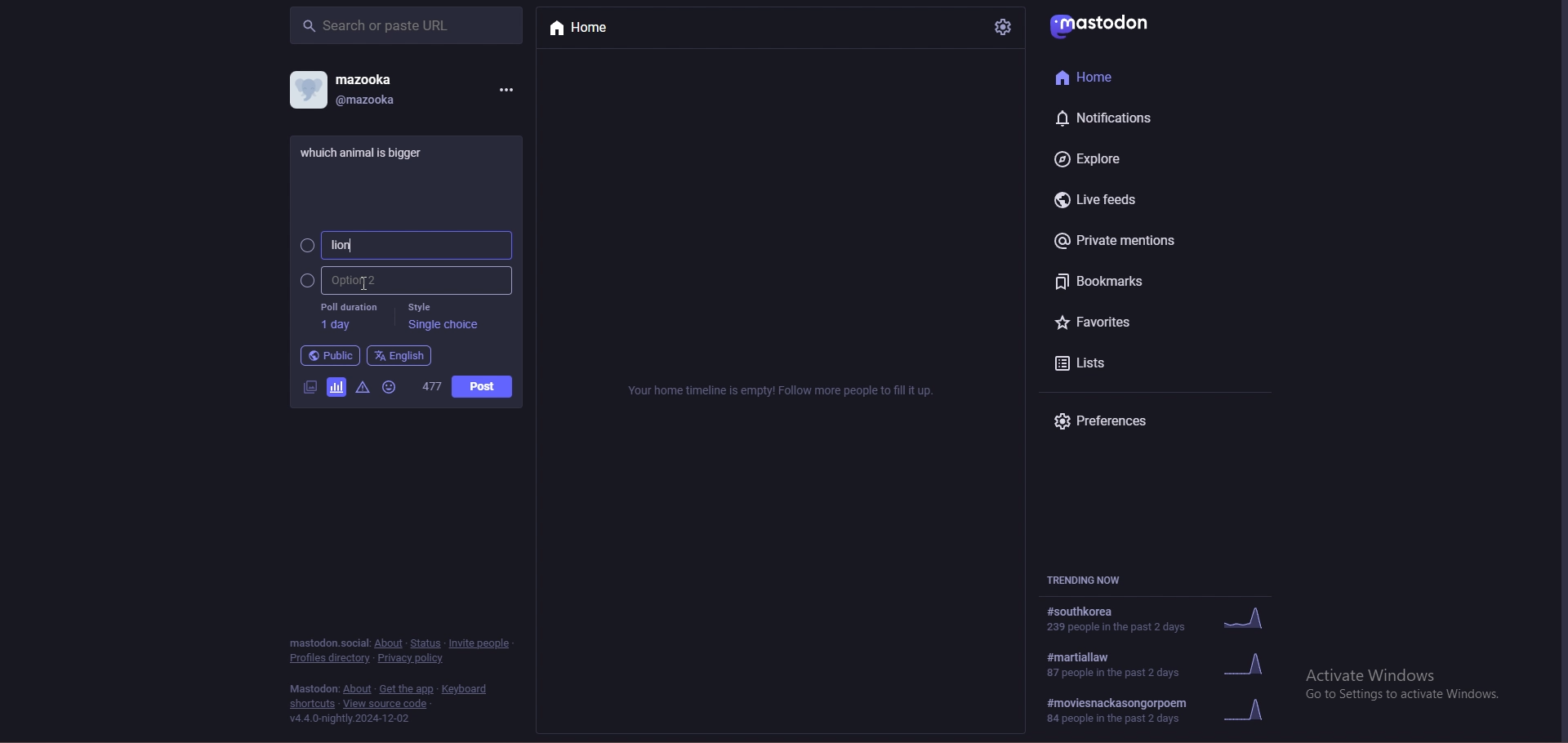  I want to click on favorites, so click(1114, 324).